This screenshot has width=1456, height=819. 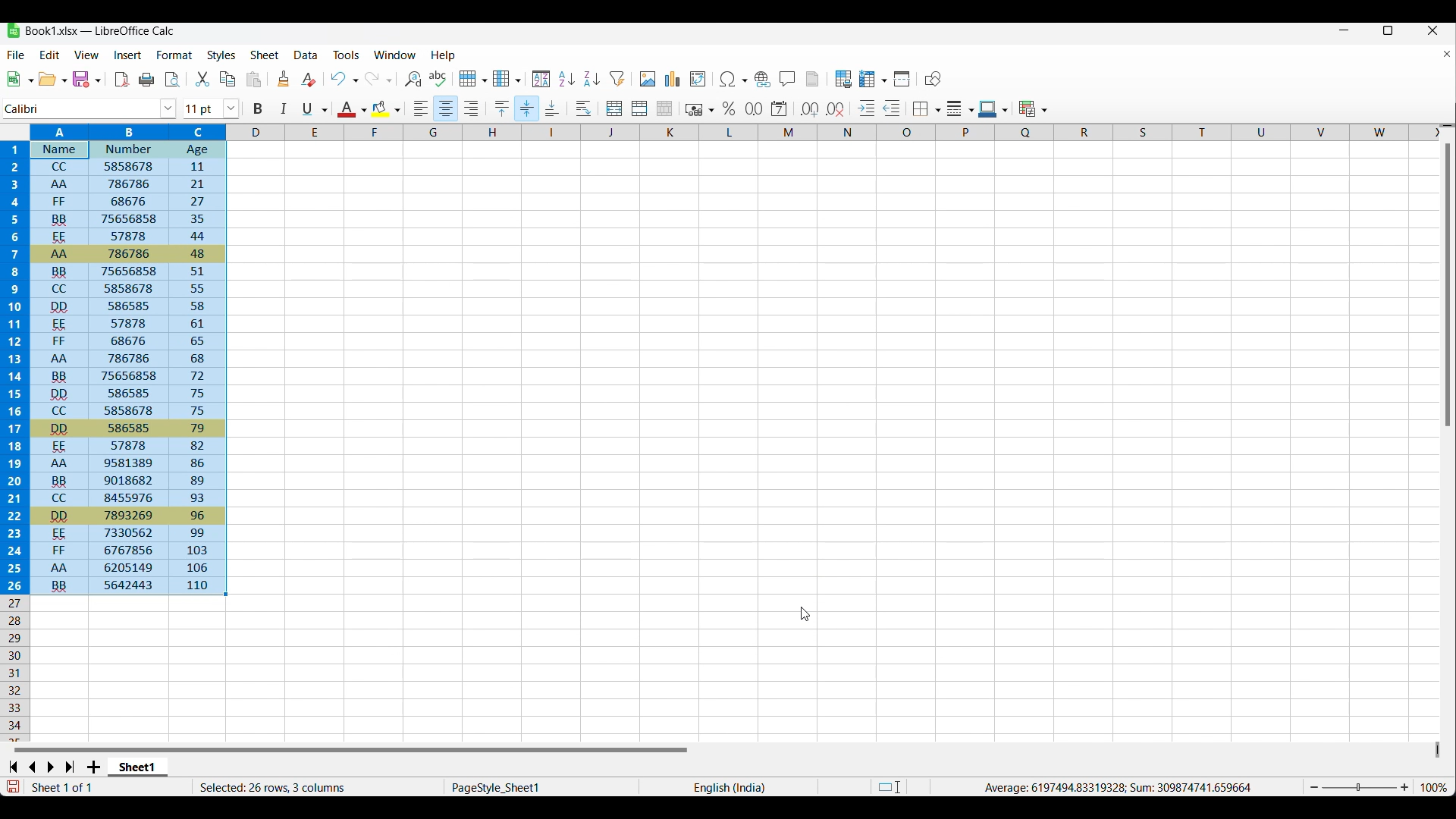 I want to click on Show draw fuctions, so click(x=934, y=78).